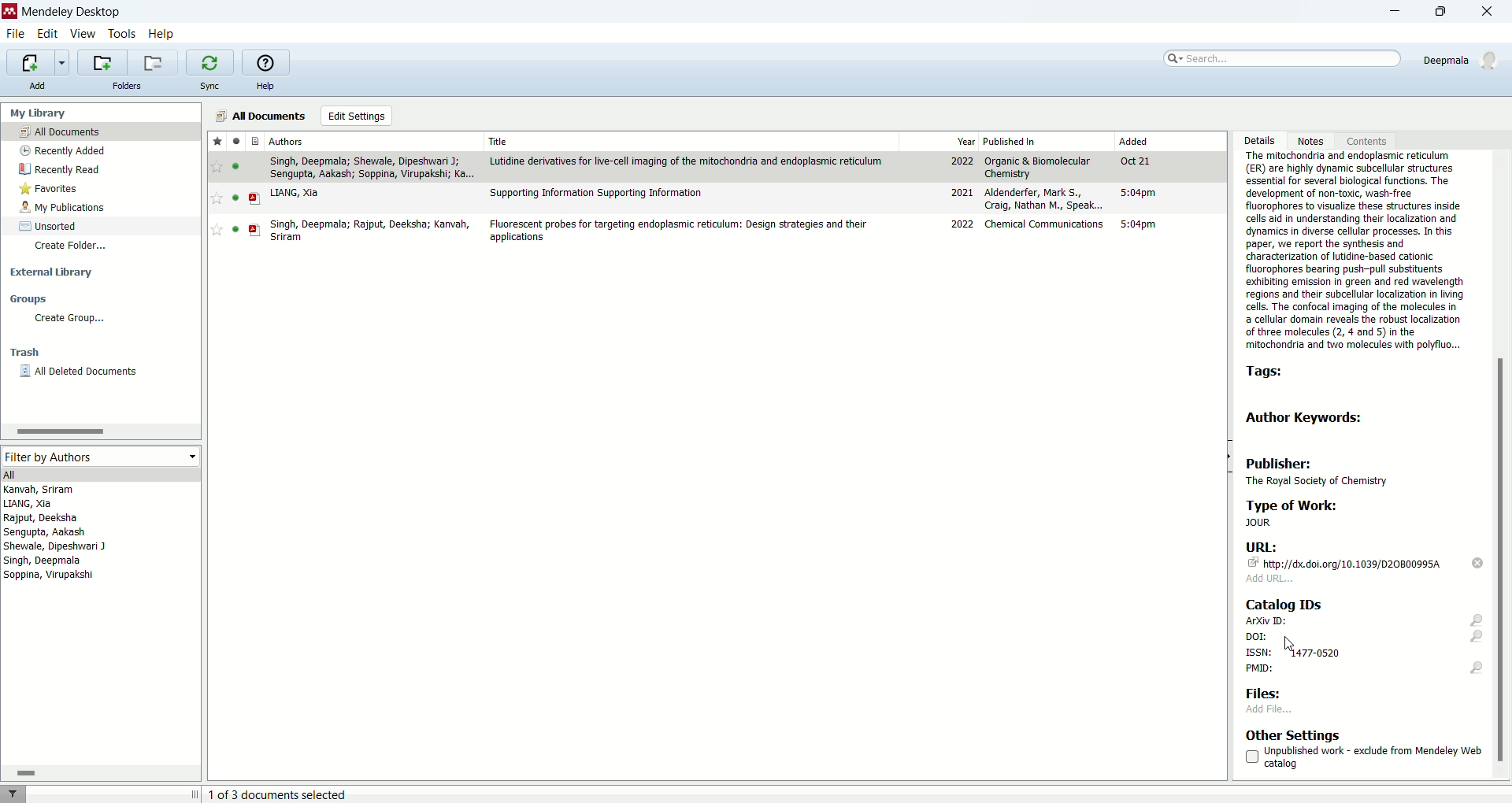  What do you see at coordinates (80, 372) in the screenshot?
I see `all deleted documents` at bounding box center [80, 372].